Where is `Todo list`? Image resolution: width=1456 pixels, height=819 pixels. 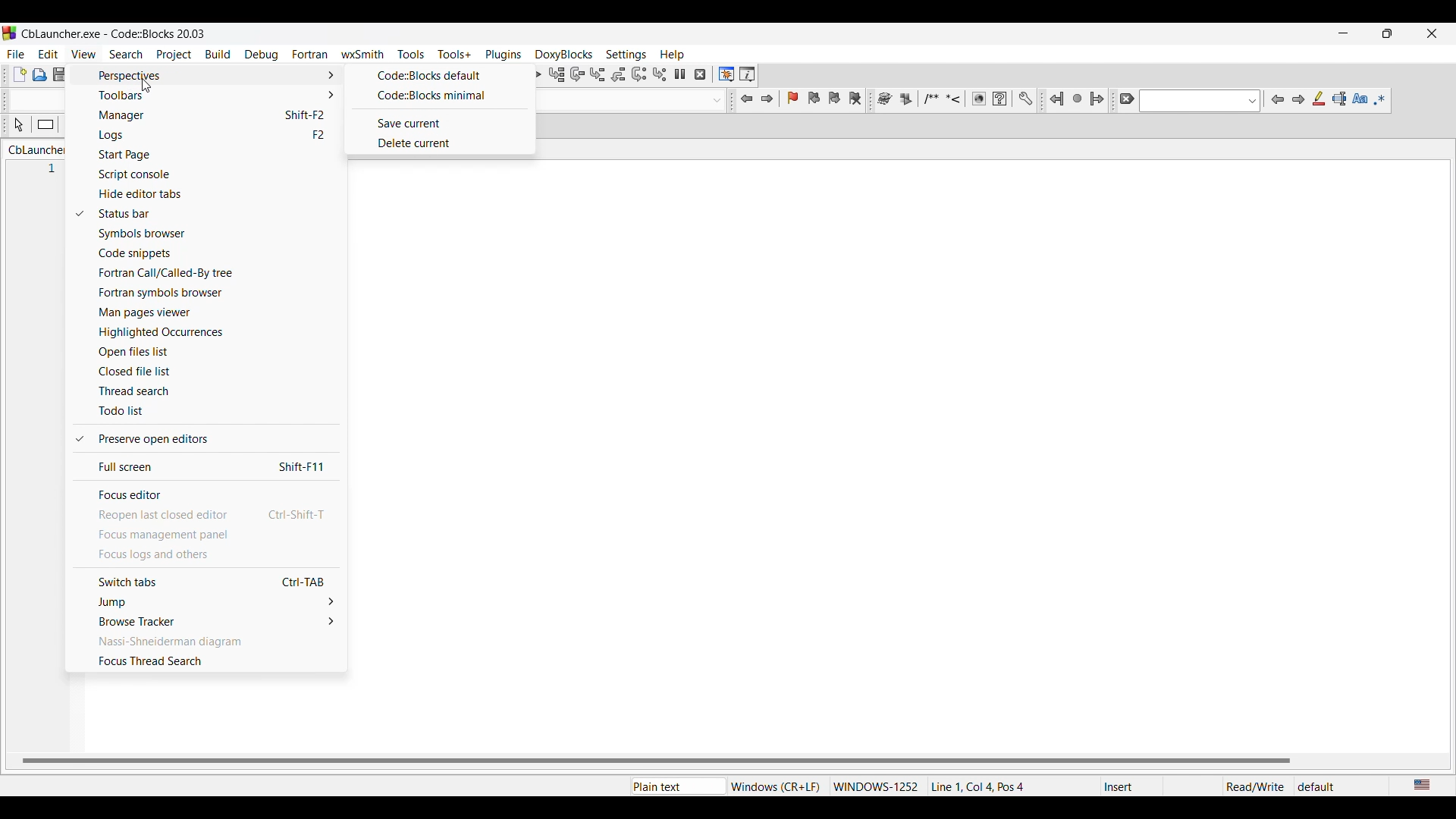
Todo list is located at coordinates (218, 412).